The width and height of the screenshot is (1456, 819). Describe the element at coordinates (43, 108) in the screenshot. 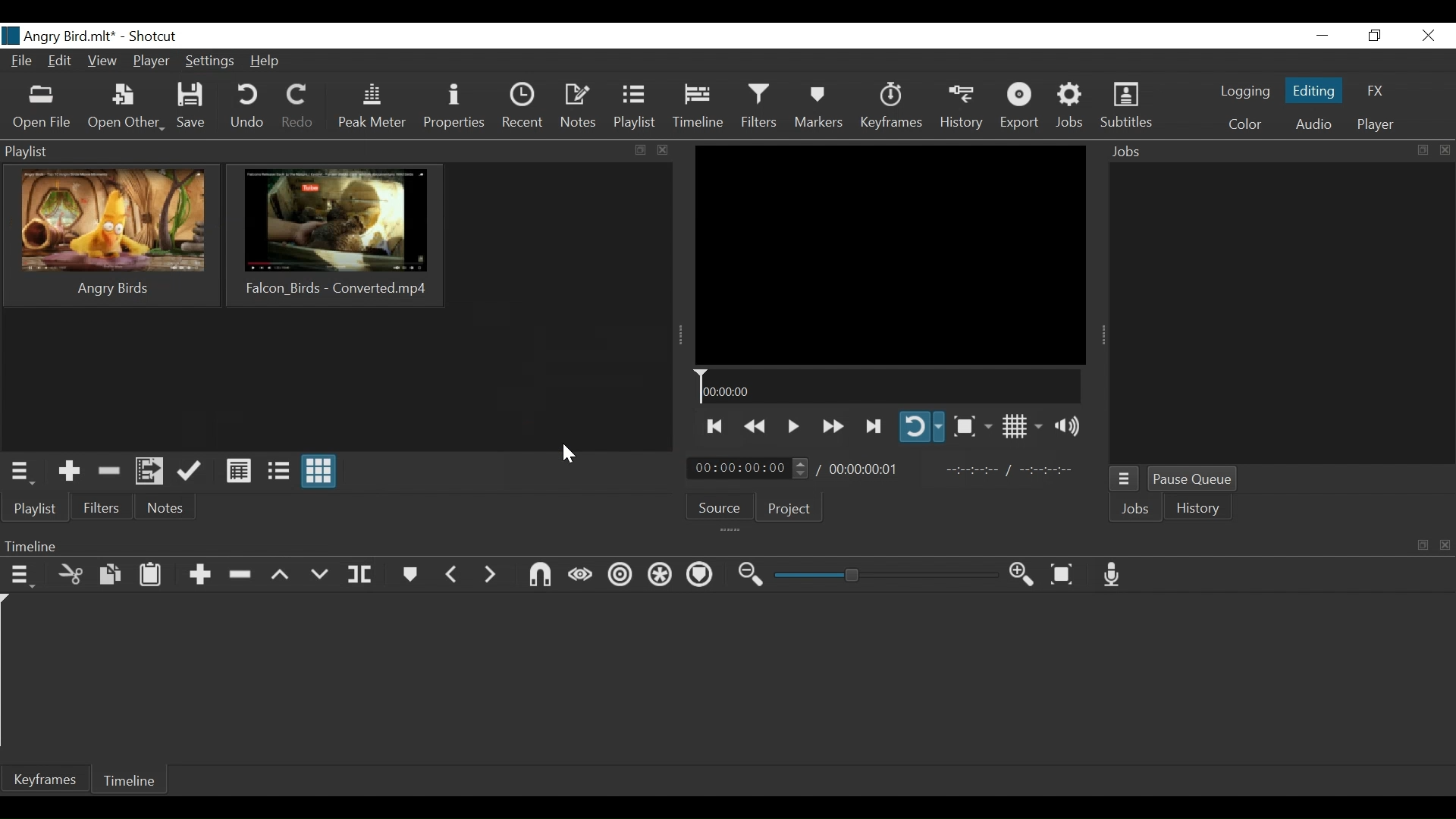

I see `Open File` at that location.